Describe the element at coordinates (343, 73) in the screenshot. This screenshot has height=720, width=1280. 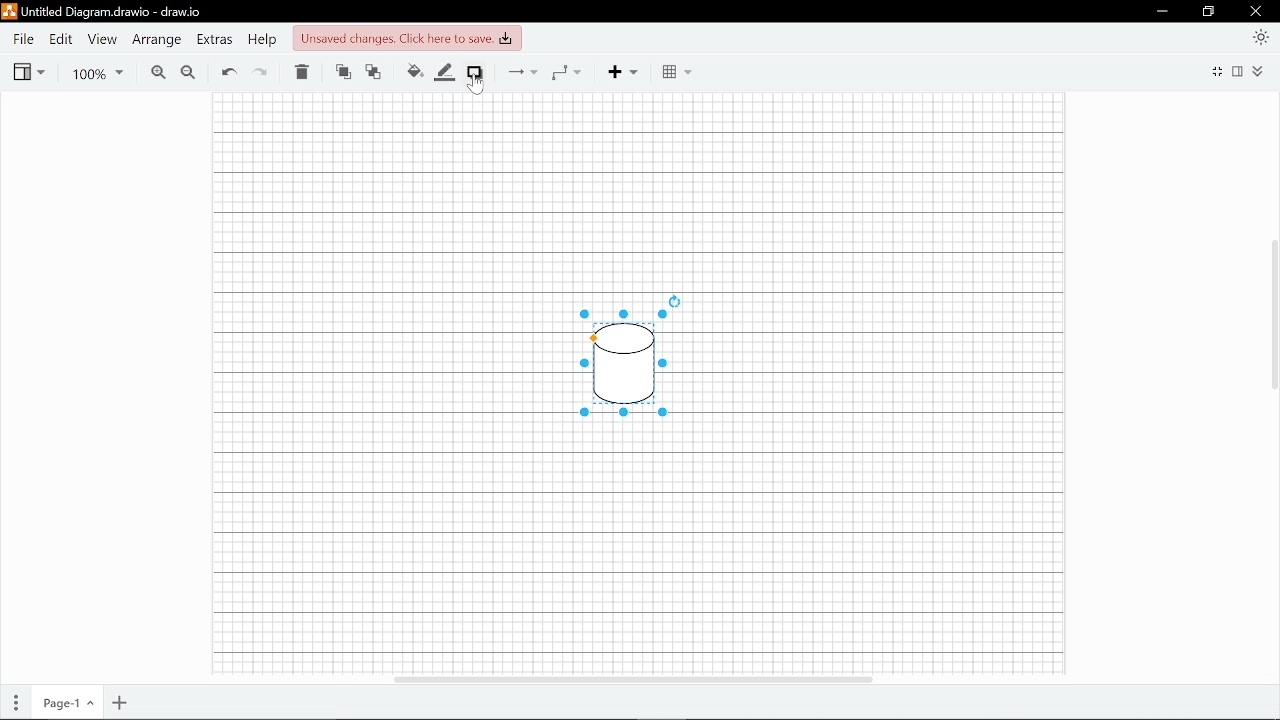
I see `To front` at that location.